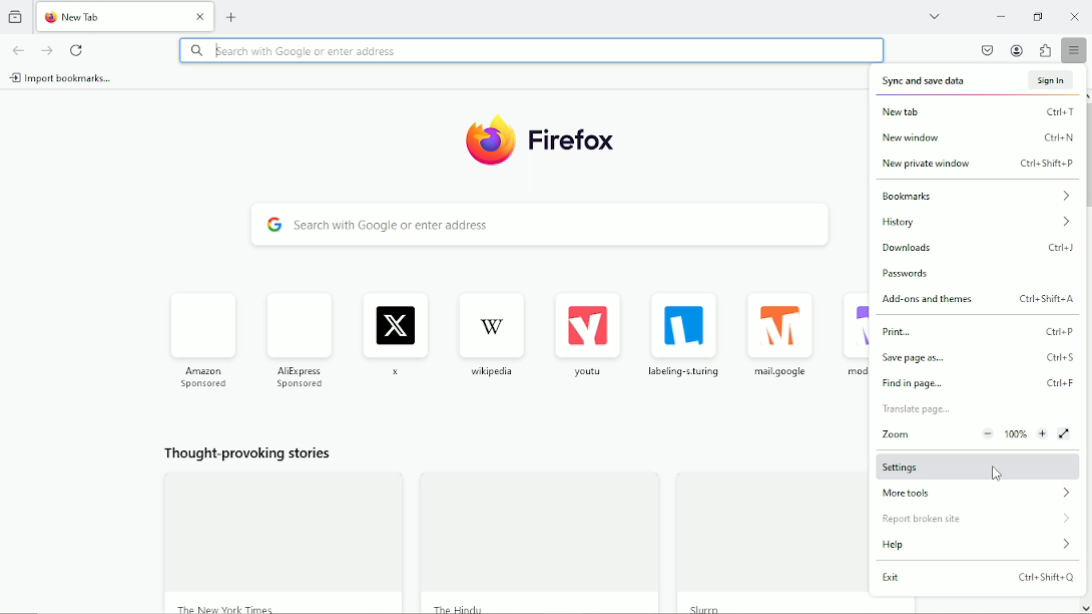 Image resolution: width=1092 pixels, height=614 pixels. I want to click on Add-ons and themes, so click(981, 301).